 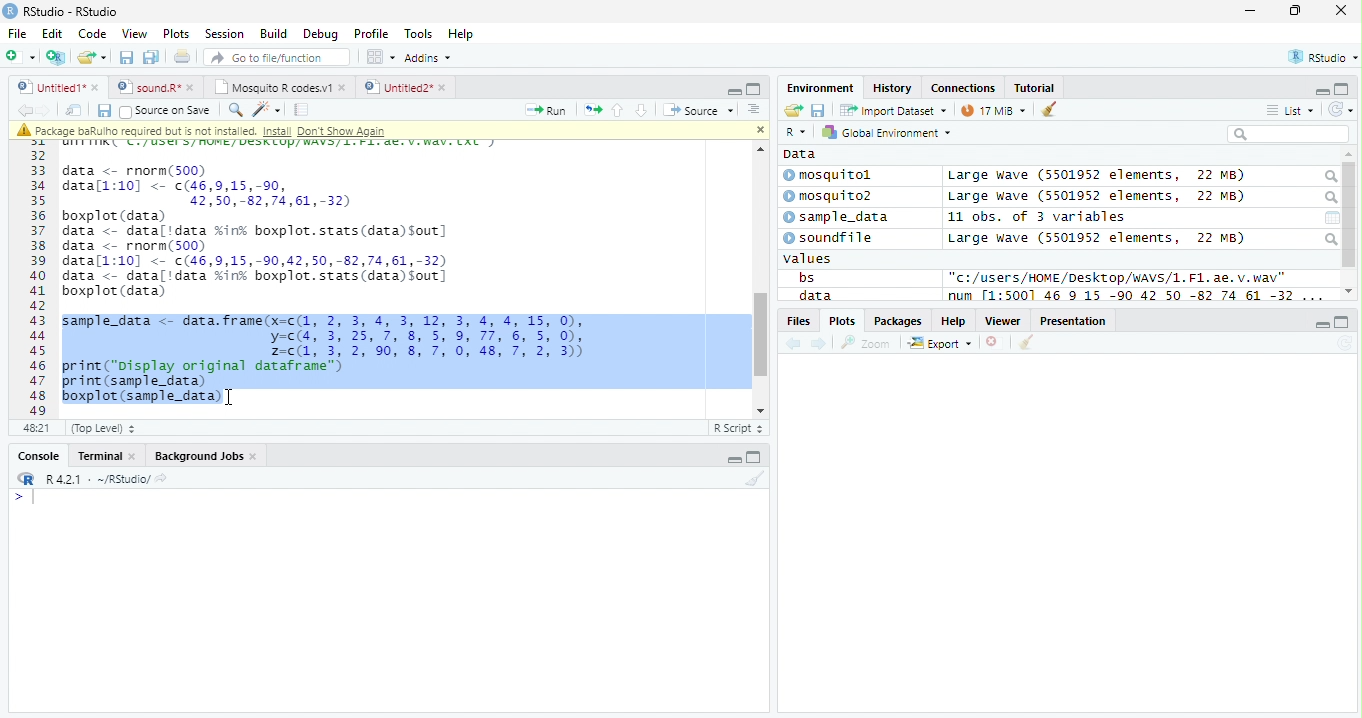 I want to click on Save all the open documents, so click(x=151, y=58).